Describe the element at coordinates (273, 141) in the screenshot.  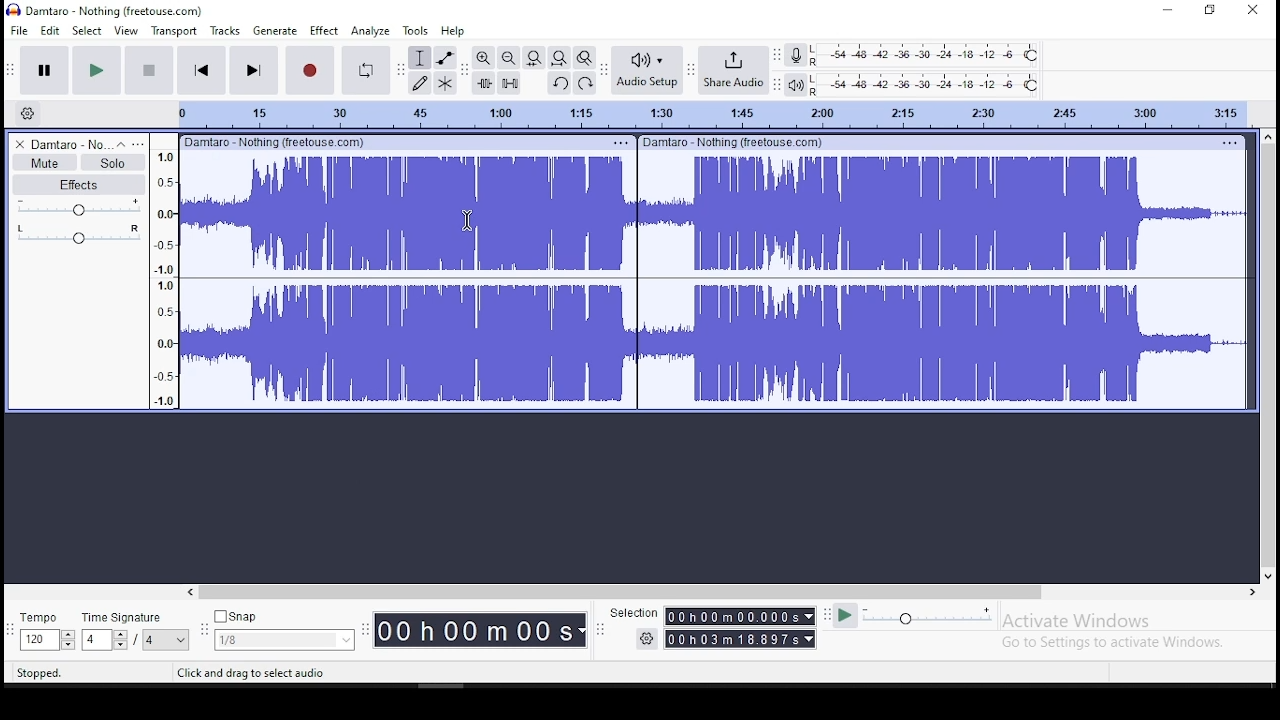
I see `Damtaro-Nothing (freehouse.com)` at that location.